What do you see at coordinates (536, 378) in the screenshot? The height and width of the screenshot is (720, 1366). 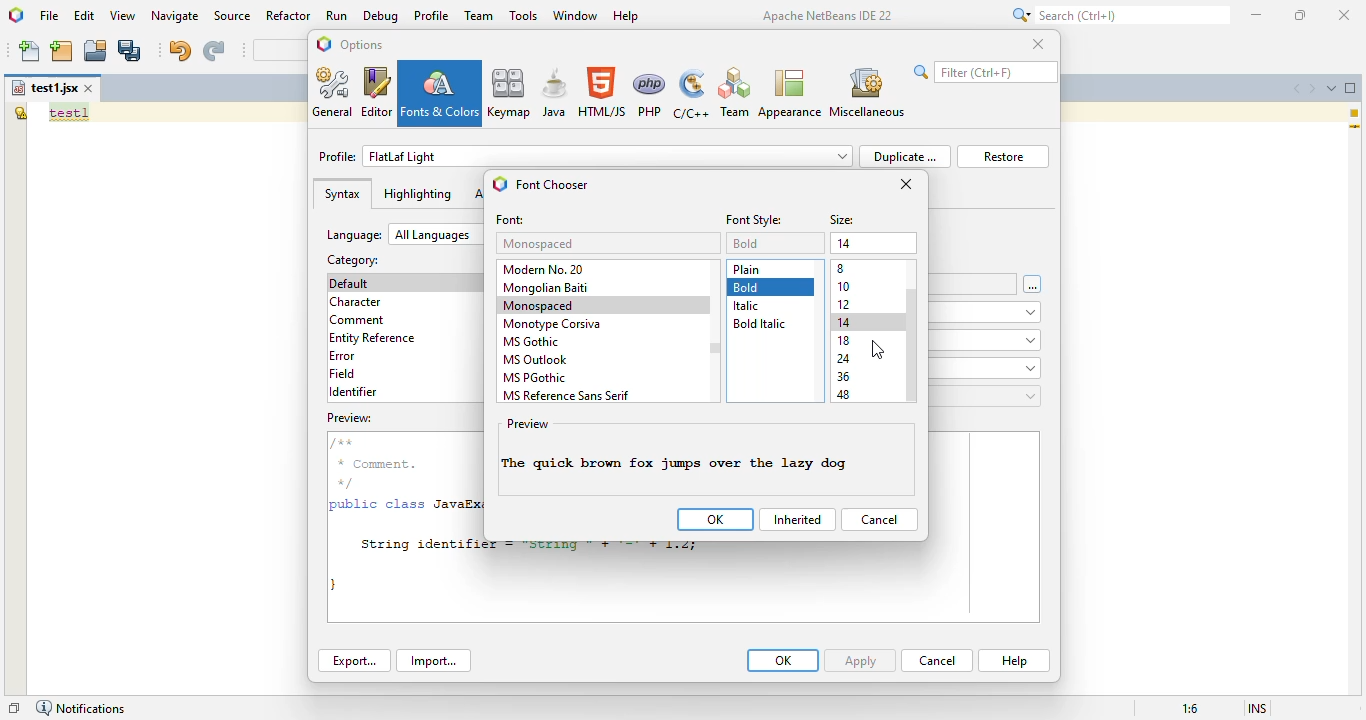 I see `MS PGothic` at bounding box center [536, 378].